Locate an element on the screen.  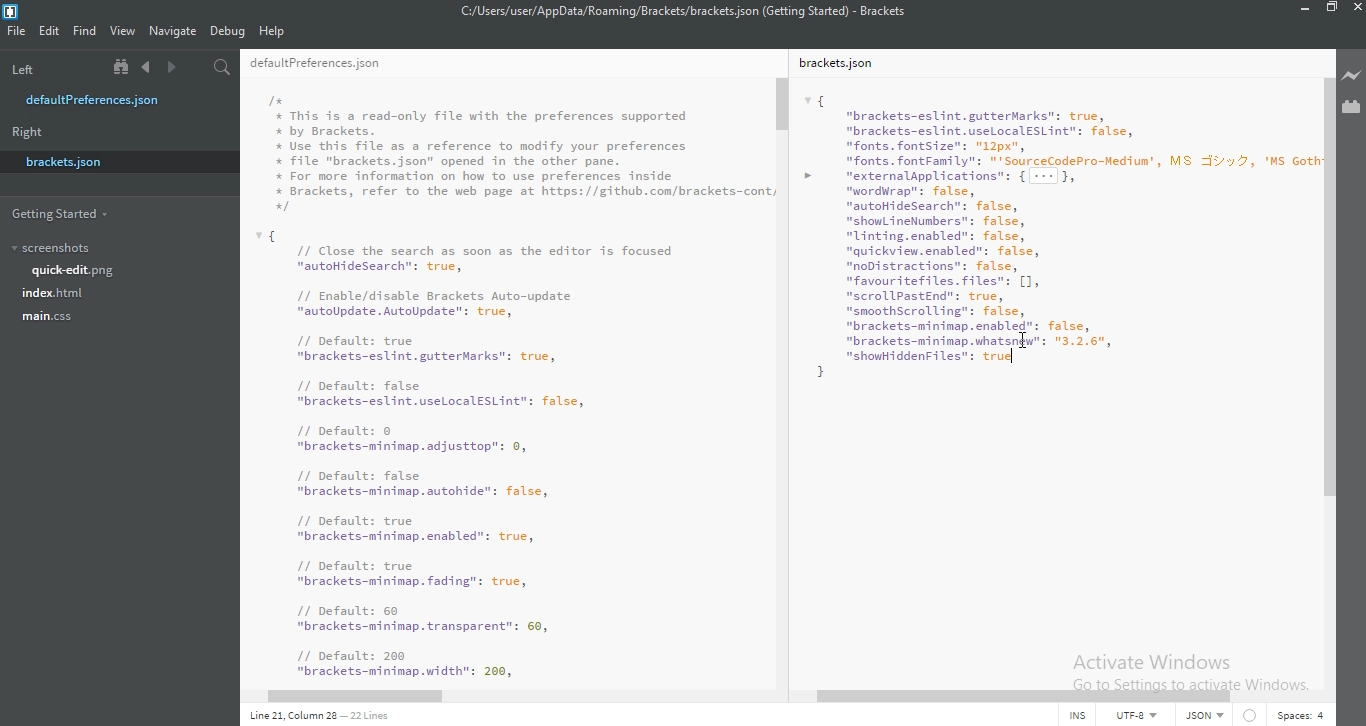
File is located at coordinates (18, 30).